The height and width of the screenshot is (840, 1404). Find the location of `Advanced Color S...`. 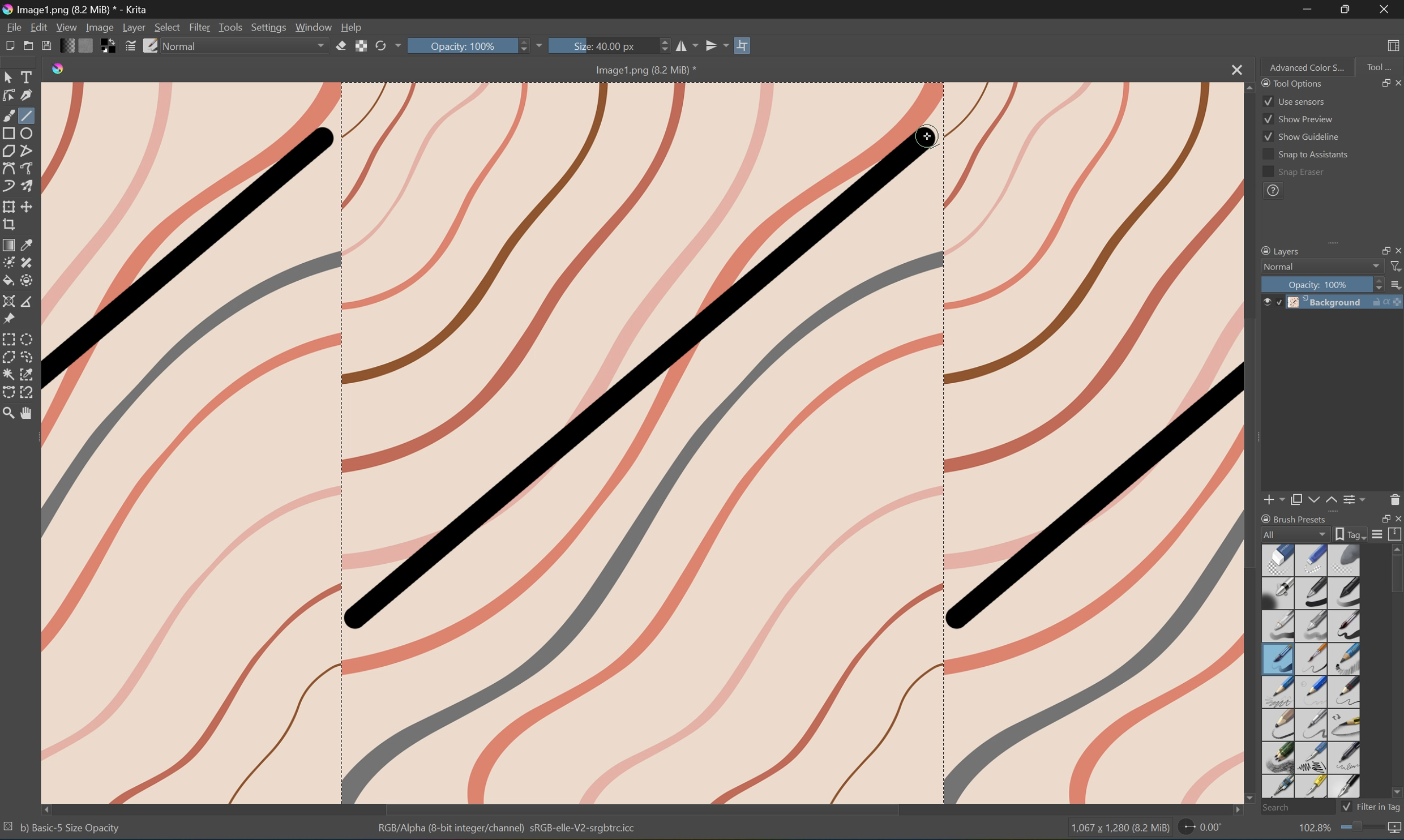

Advanced Color S... is located at coordinates (1308, 68).